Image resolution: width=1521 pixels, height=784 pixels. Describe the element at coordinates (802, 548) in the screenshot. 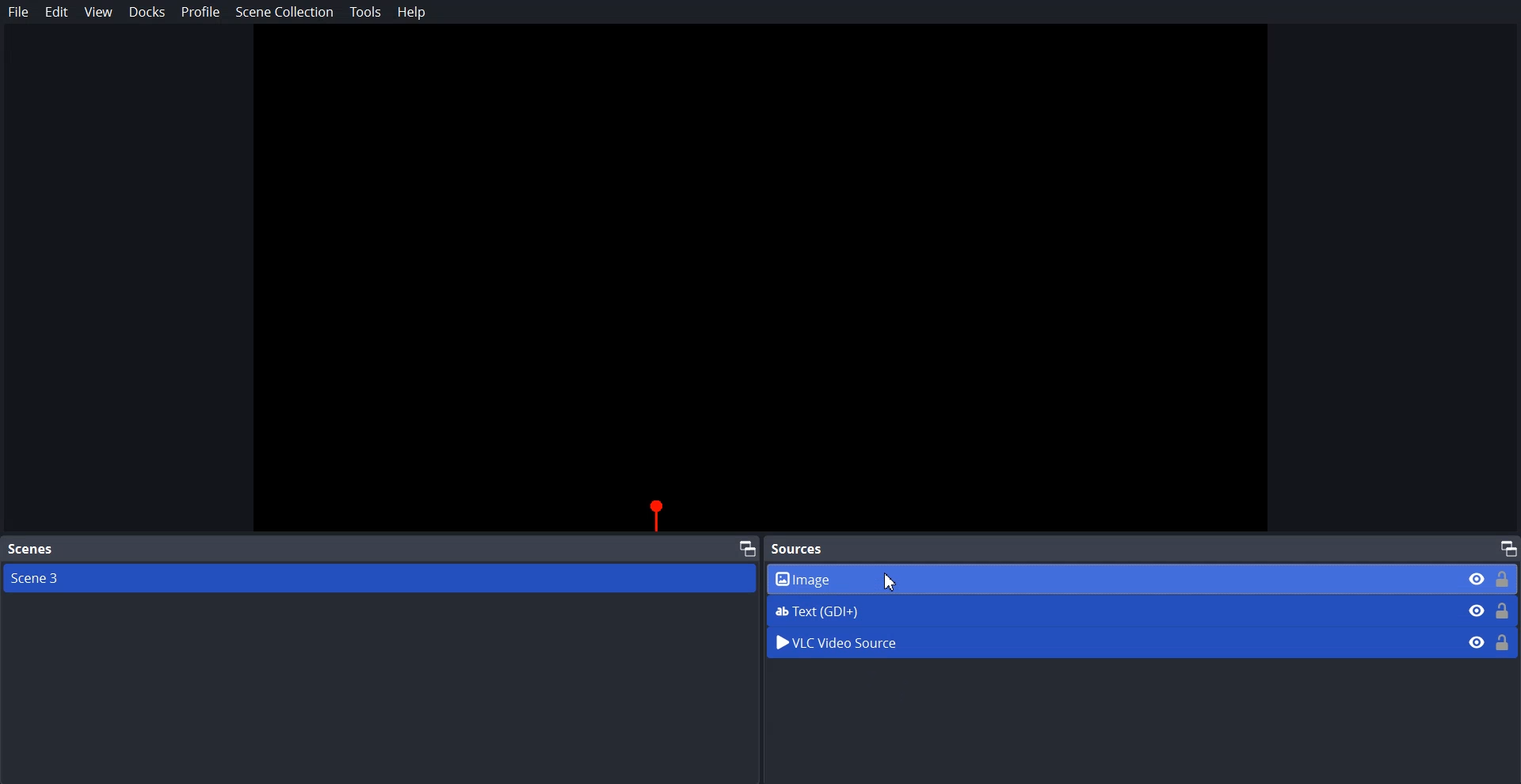

I see `Sources` at that location.